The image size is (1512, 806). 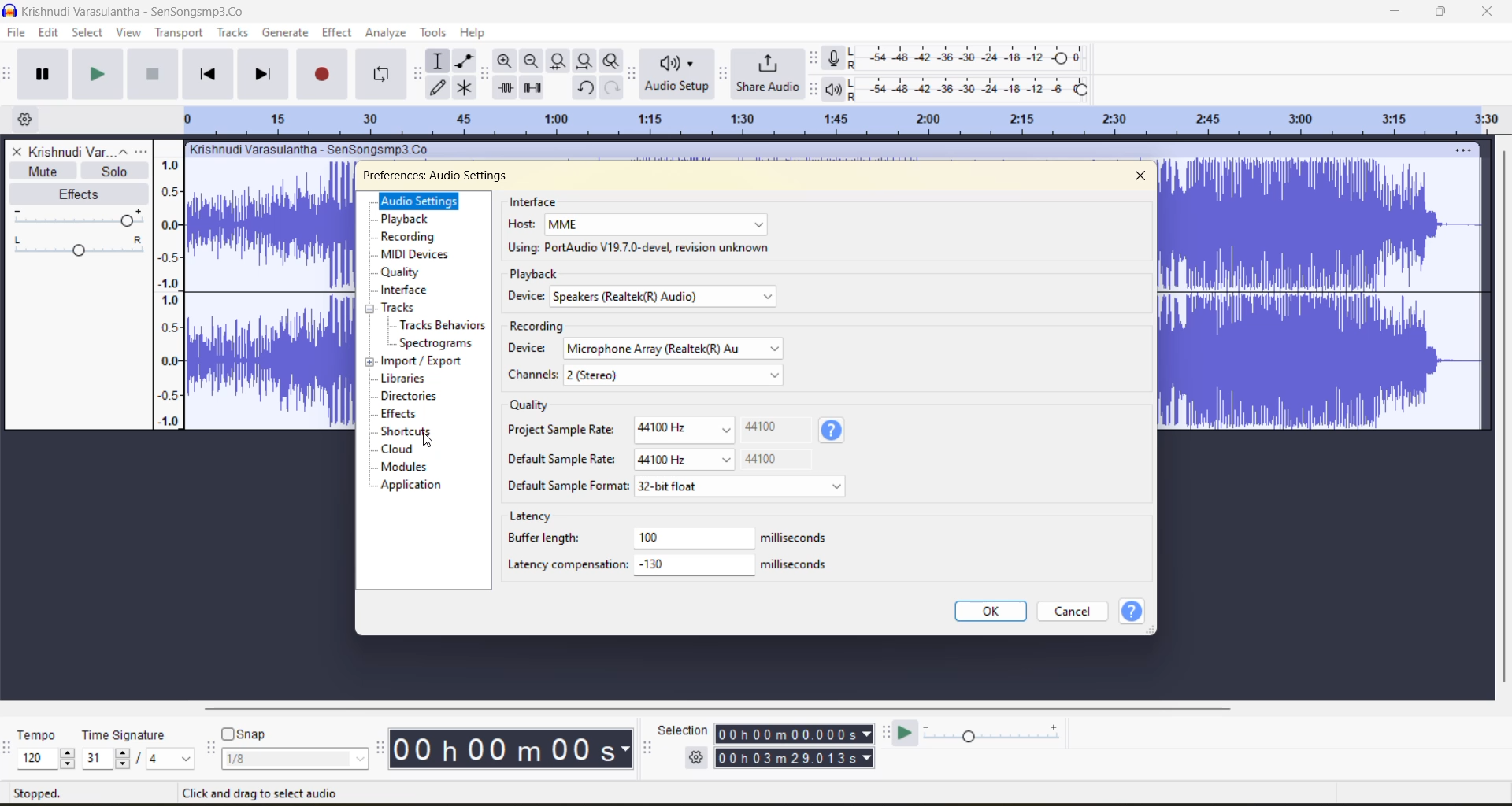 What do you see at coordinates (685, 729) in the screenshot?
I see `selection` at bounding box center [685, 729].